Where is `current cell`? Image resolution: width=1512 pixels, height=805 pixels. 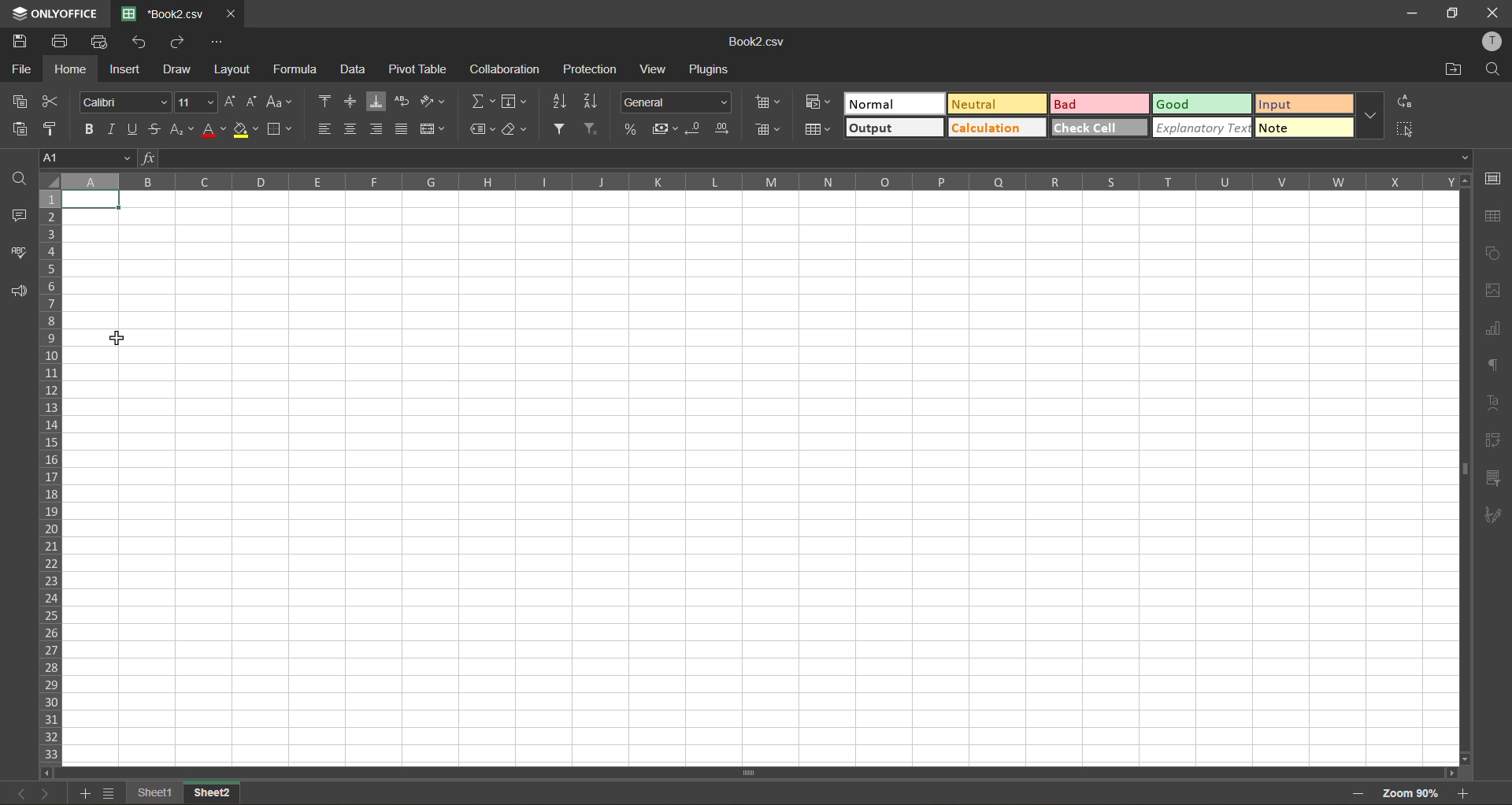 current cell is located at coordinates (94, 200).